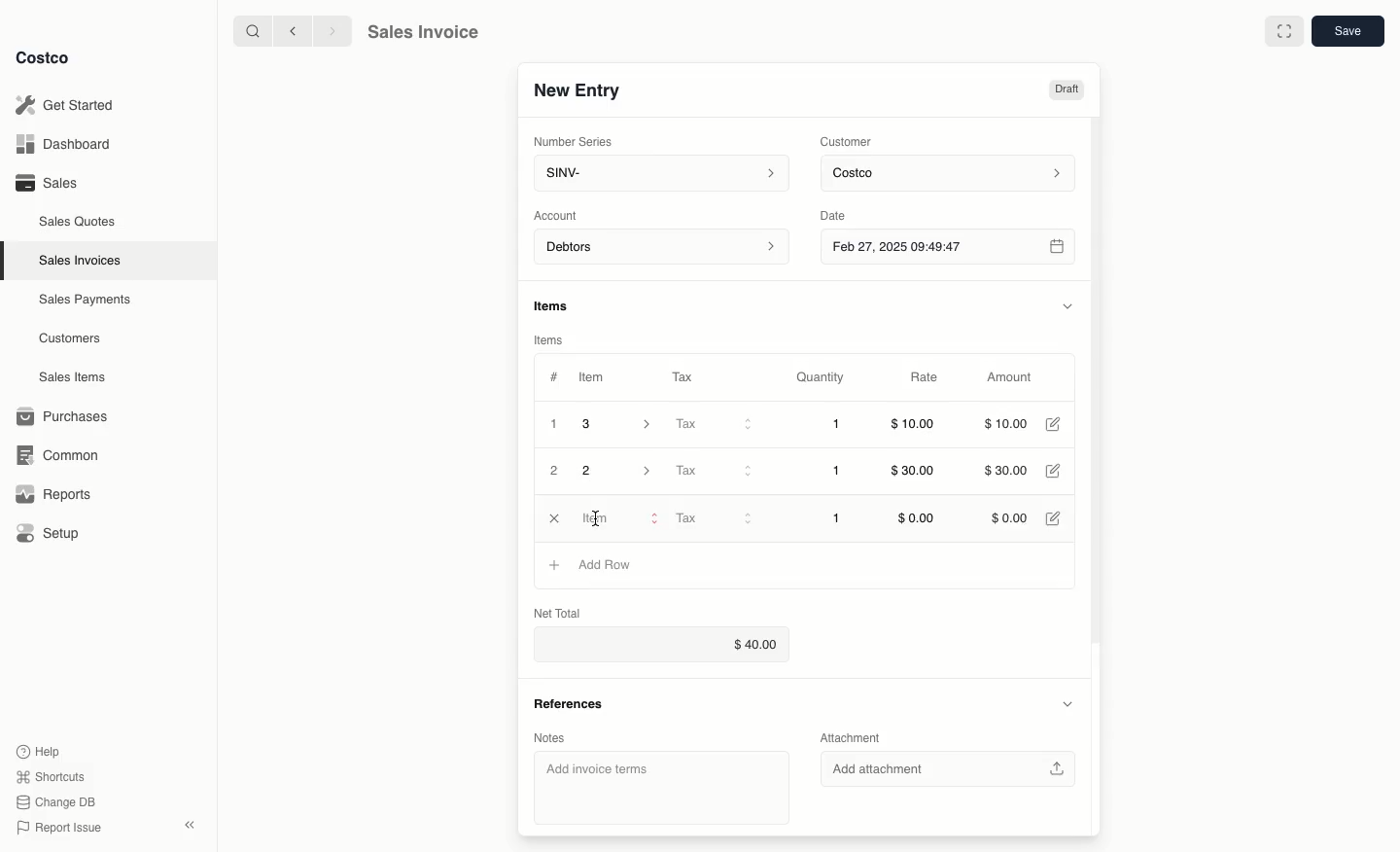 This screenshot has height=852, width=1400. Describe the element at coordinates (40, 750) in the screenshot. I see `Help` at that location.